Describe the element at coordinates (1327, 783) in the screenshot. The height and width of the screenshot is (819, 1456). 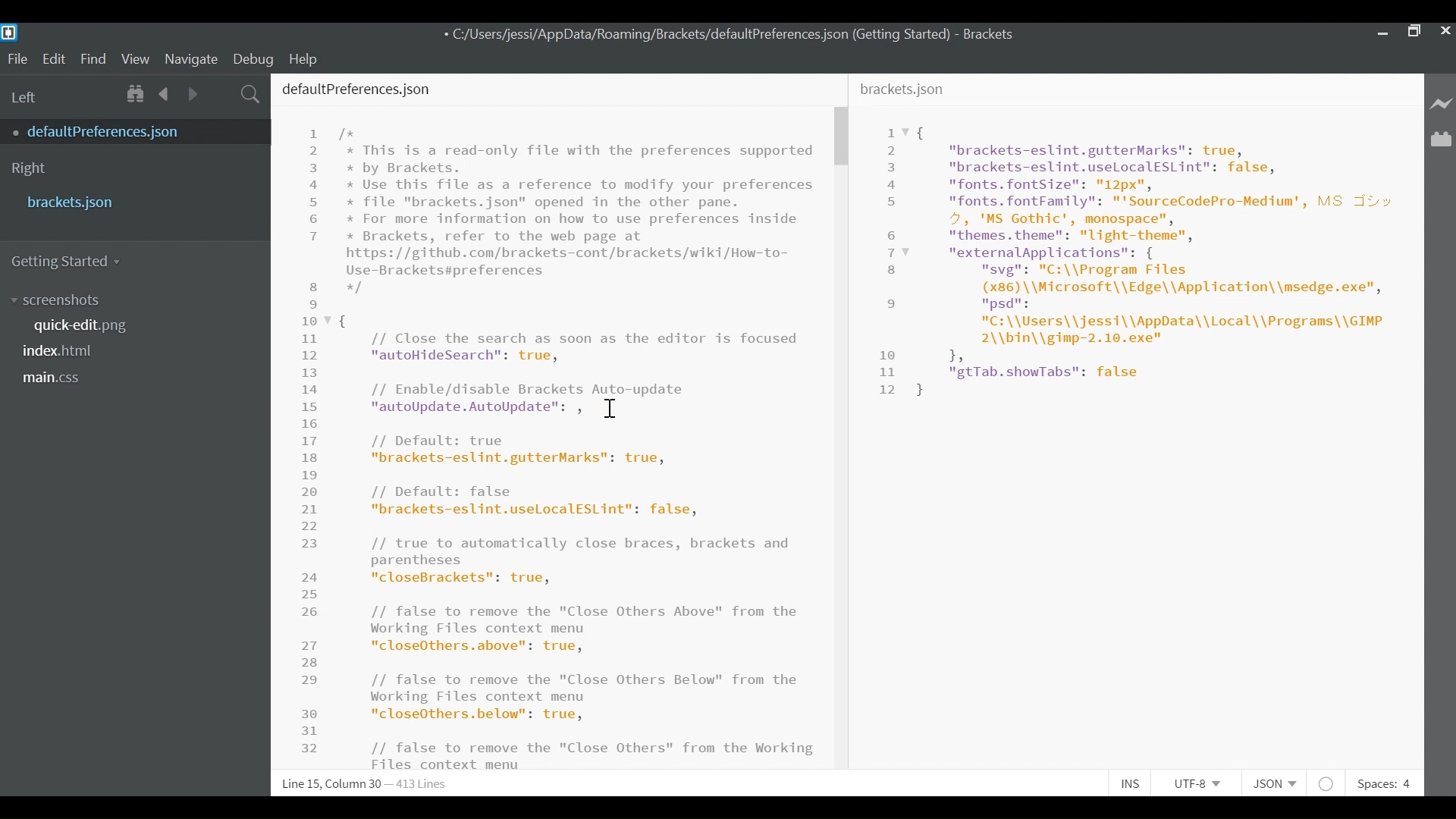
I see `No lintel available for JSON` at that location.